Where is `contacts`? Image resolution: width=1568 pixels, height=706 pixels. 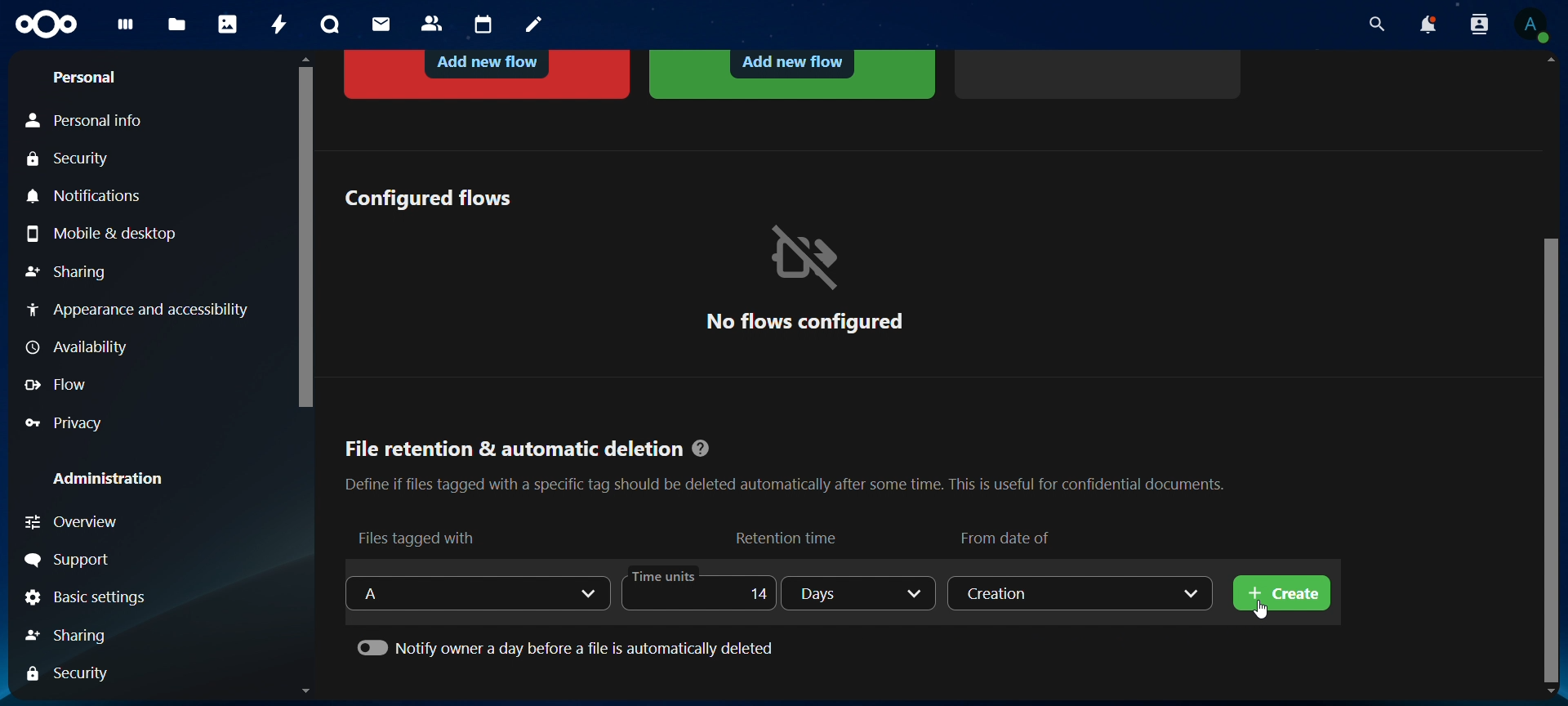 contacts is located at coordinates (433, 25).